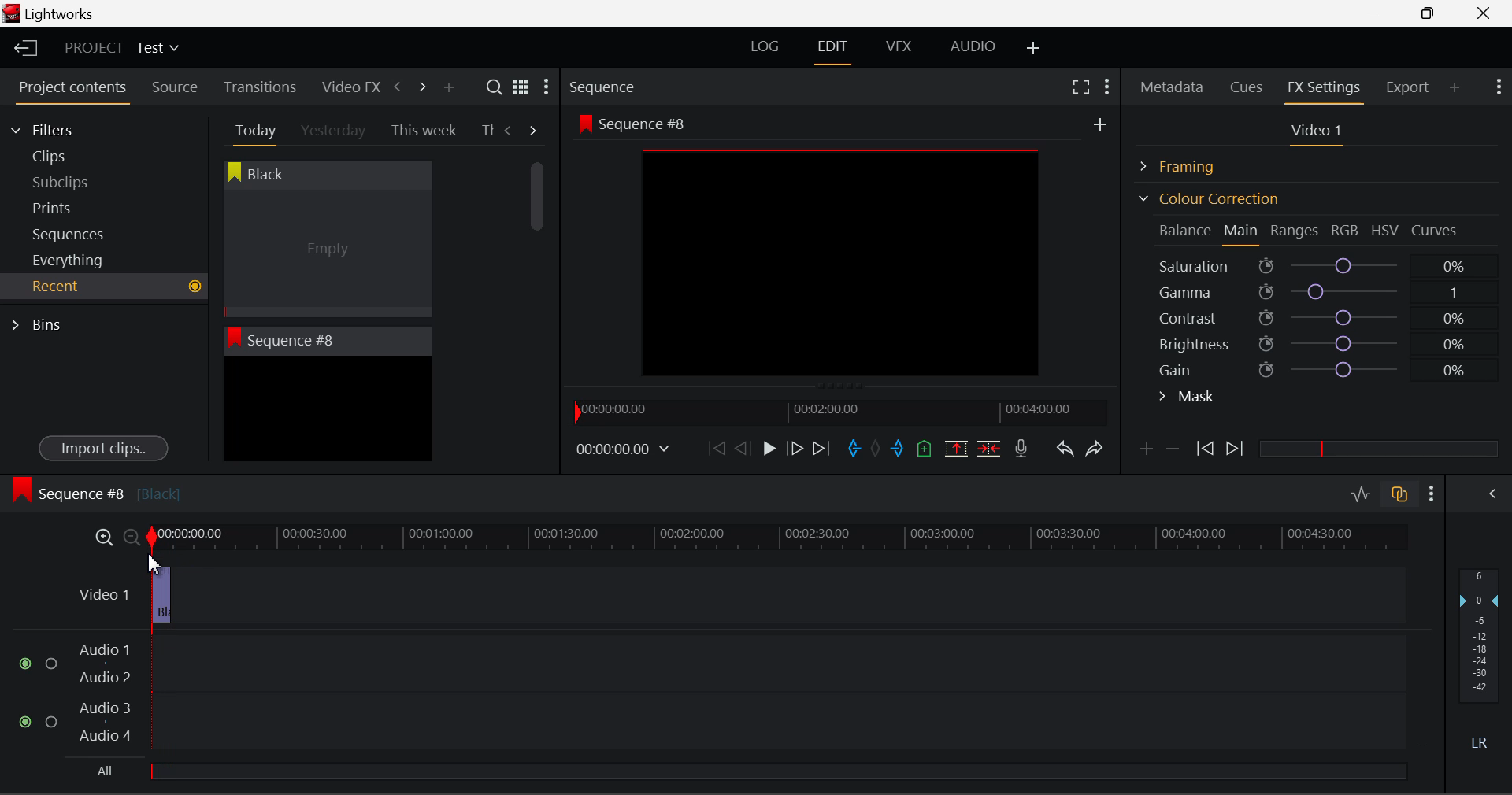 The width and height of the screenshot is (1512, 795). I want to click on Show Settings, so click(1432, 494).